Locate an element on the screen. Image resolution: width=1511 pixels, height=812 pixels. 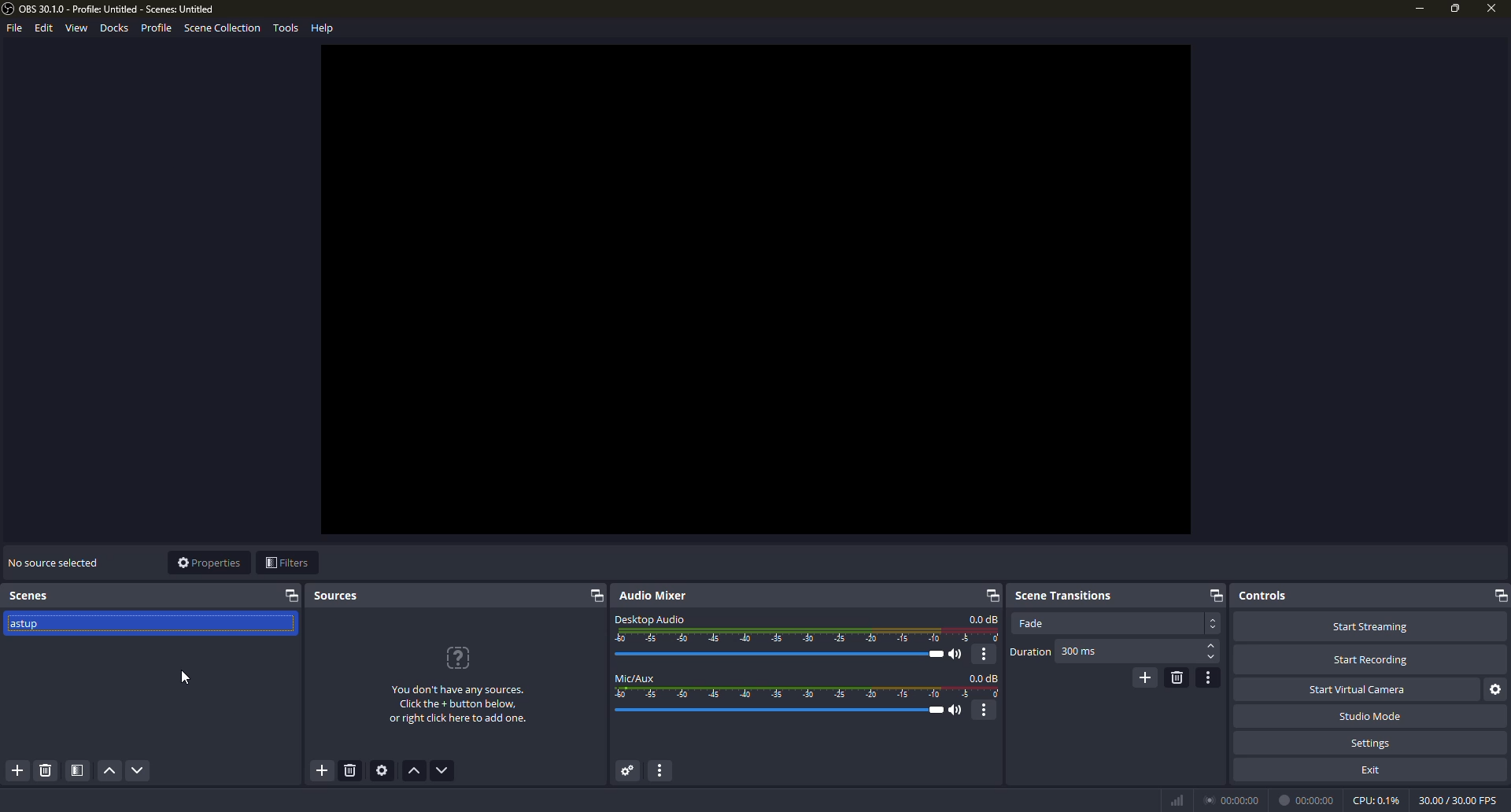
add scene is located at coordinates (19, 771).